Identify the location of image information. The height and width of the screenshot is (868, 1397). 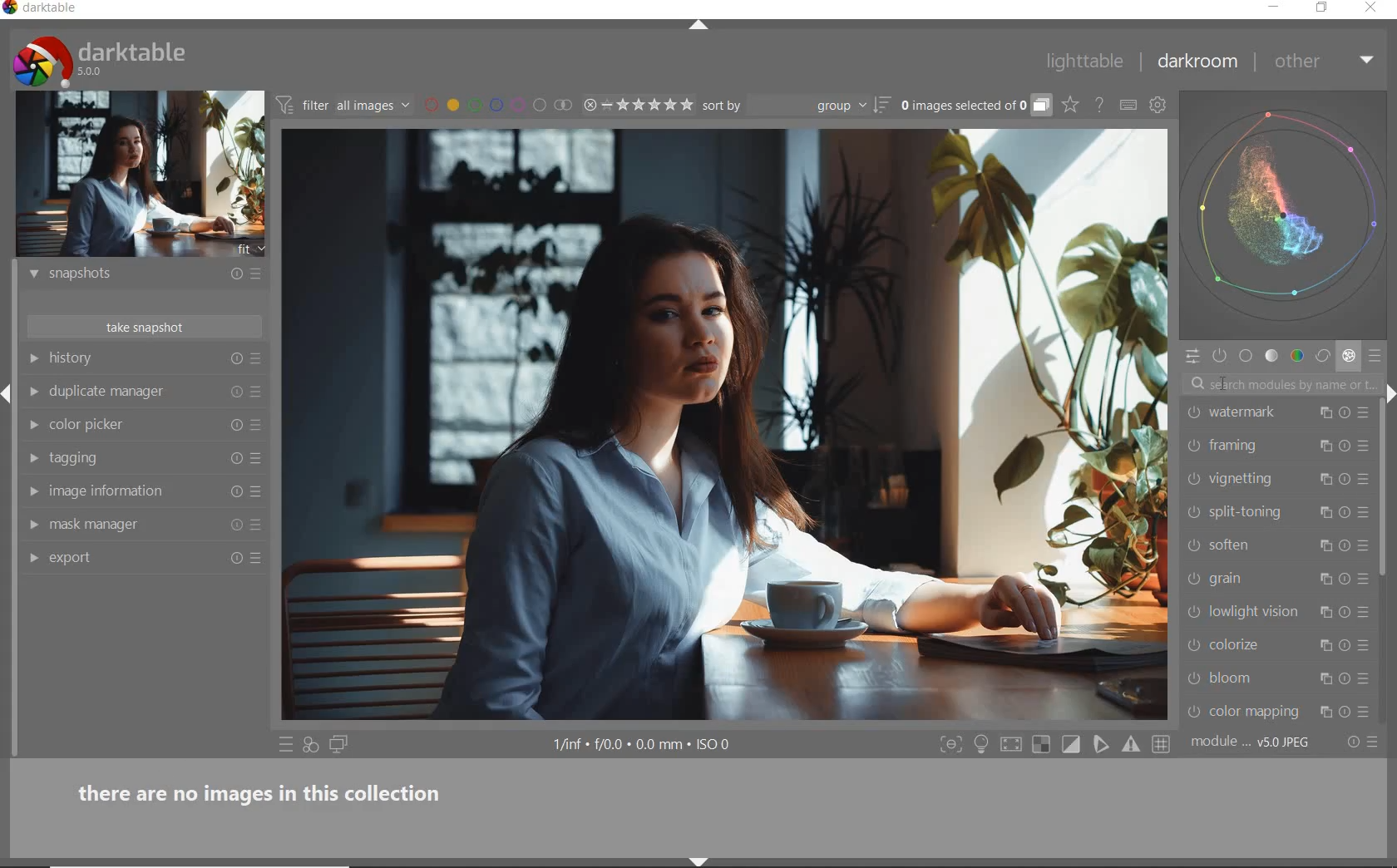
(122, 491).